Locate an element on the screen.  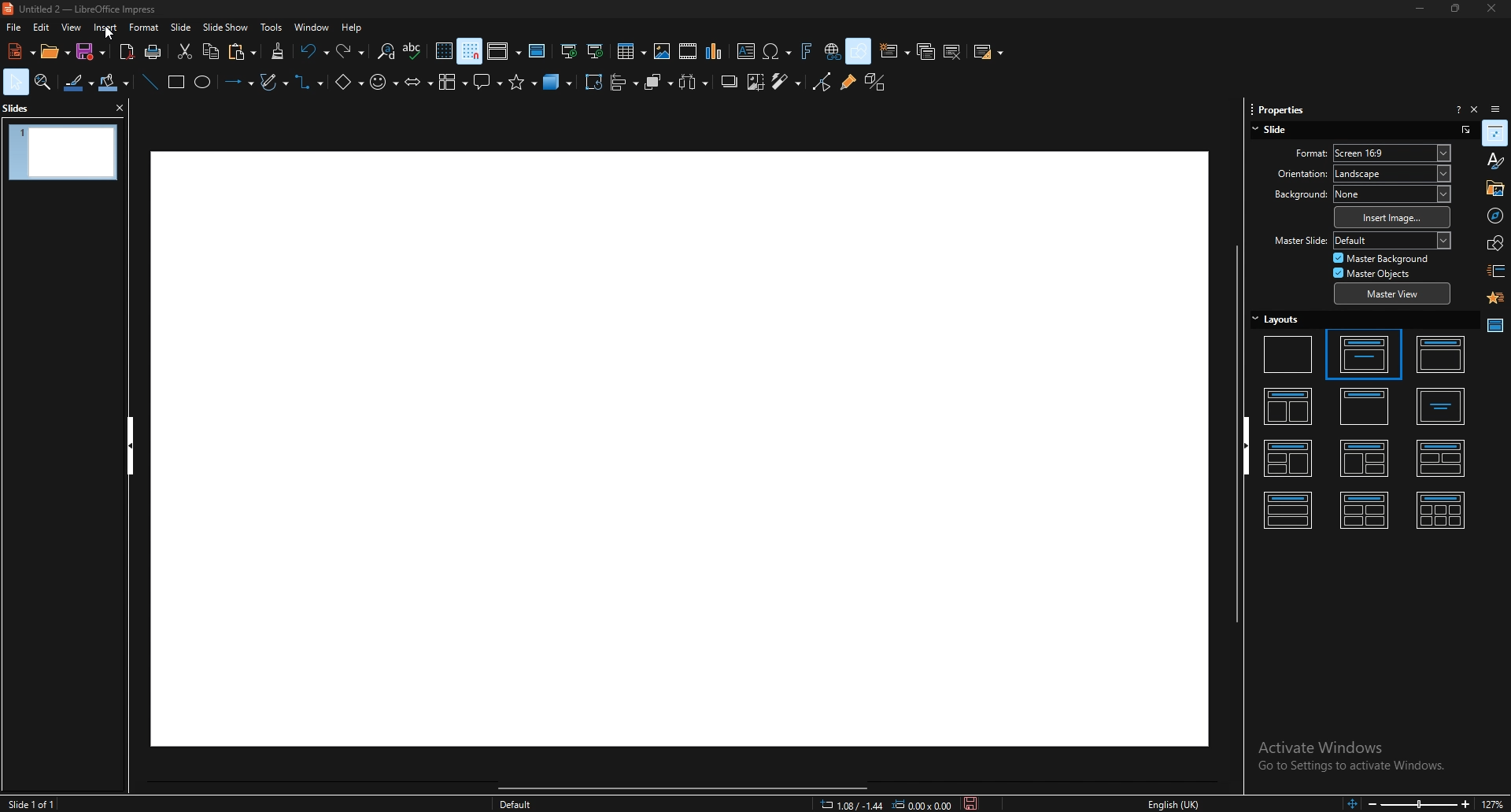
styles is located at coordinates (1494, 161).